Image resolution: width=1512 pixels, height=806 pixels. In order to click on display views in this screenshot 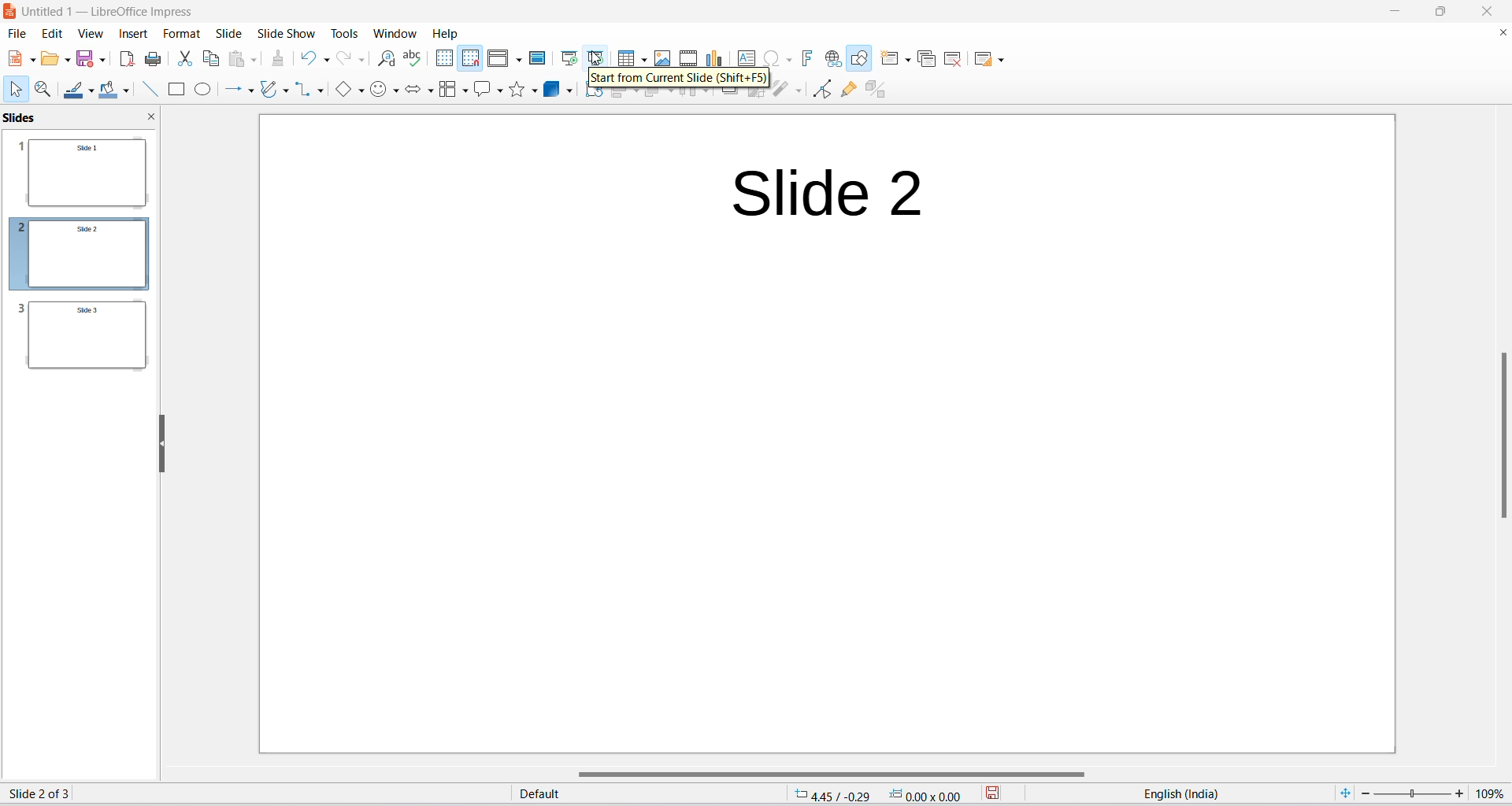, I will do `click(498, 57)`.